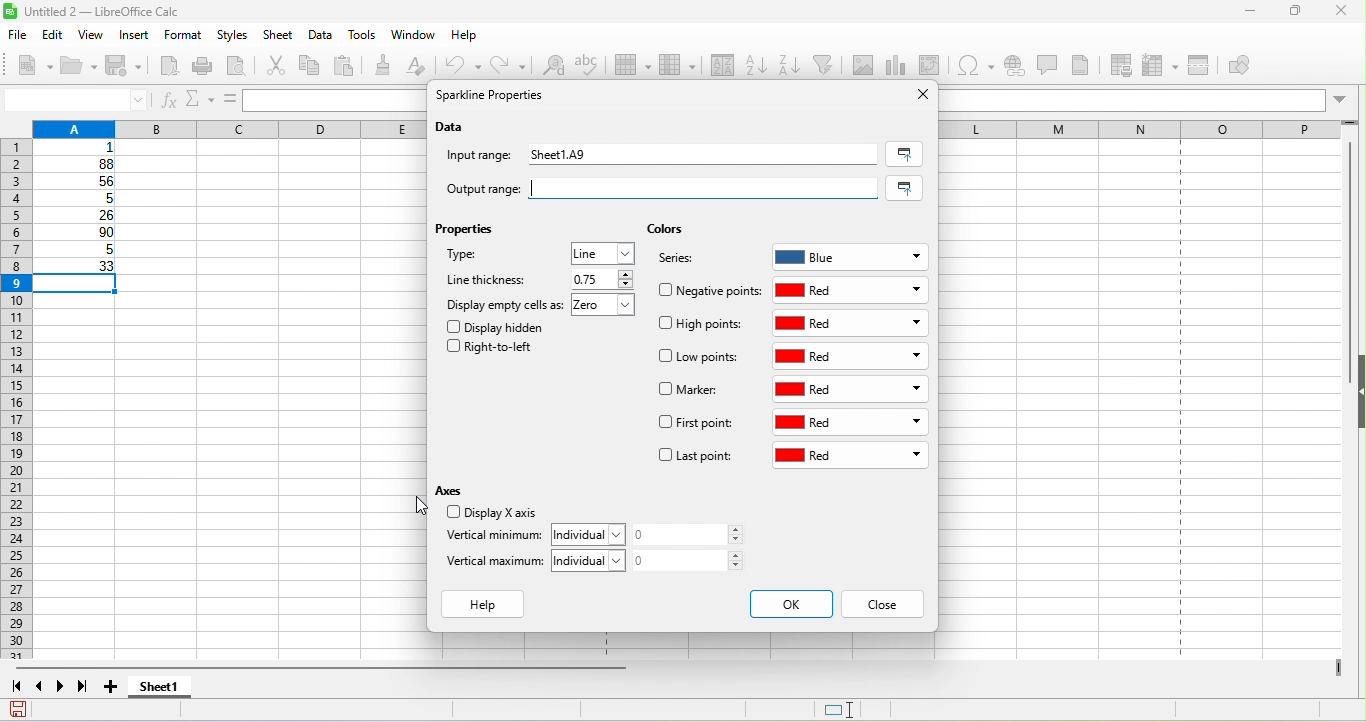  I want to click on typing cursor, so click(529, 190).